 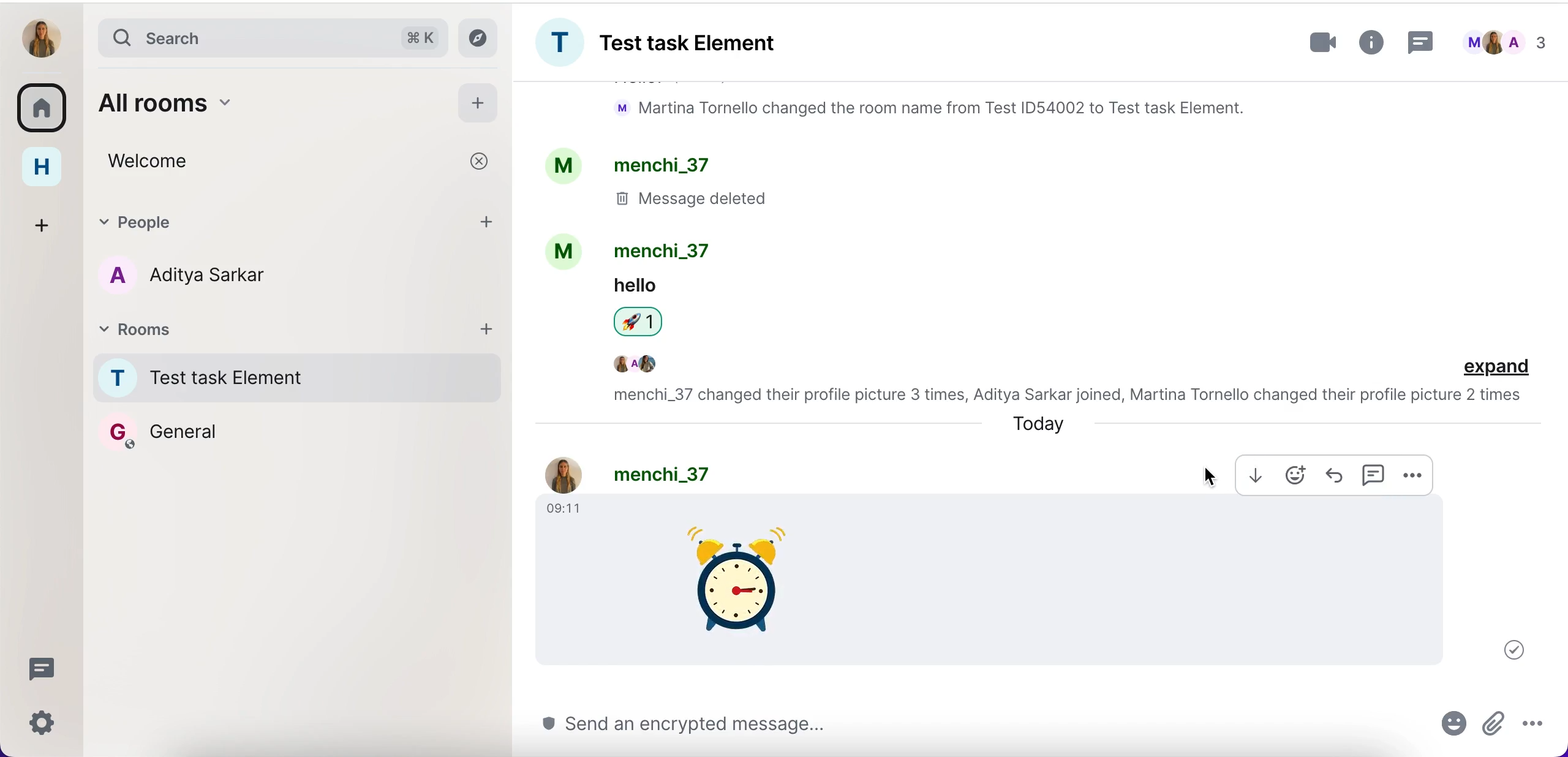 What do you see at coordinates (43, 723) in the screenshot?
I see `quick settings` at bounding box center [43, 723].